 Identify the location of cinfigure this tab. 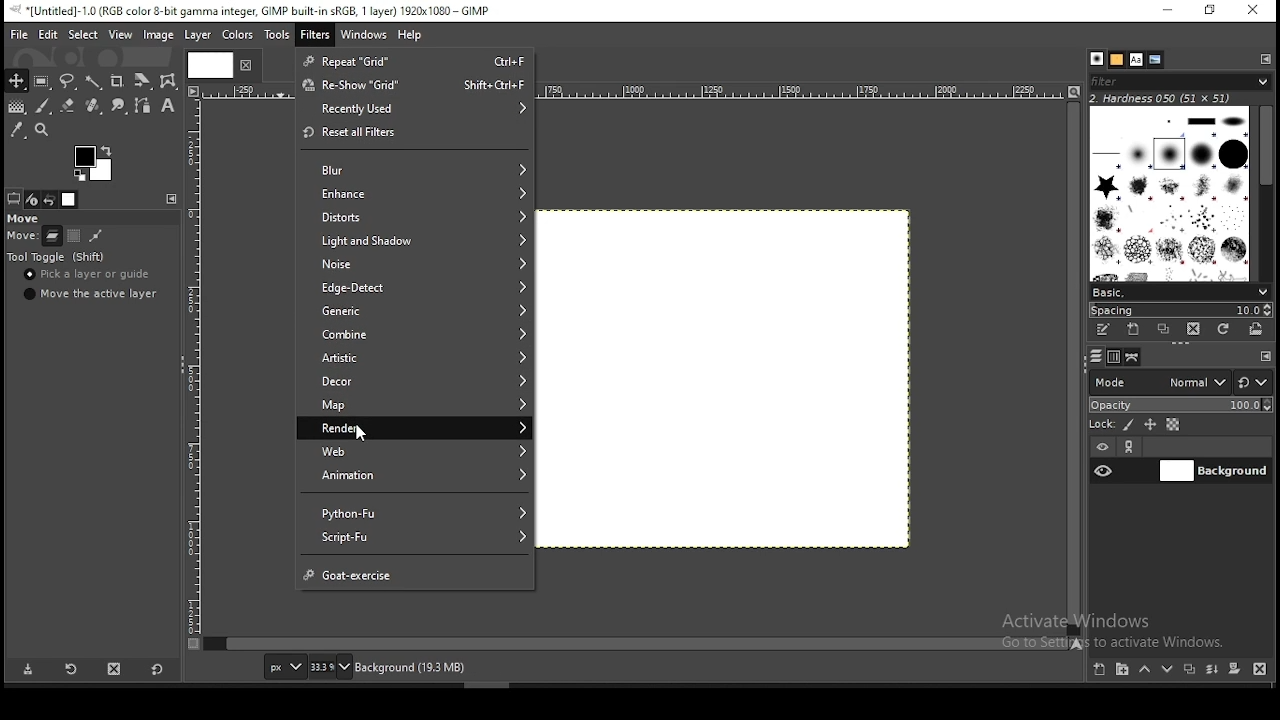
(1267, 356).